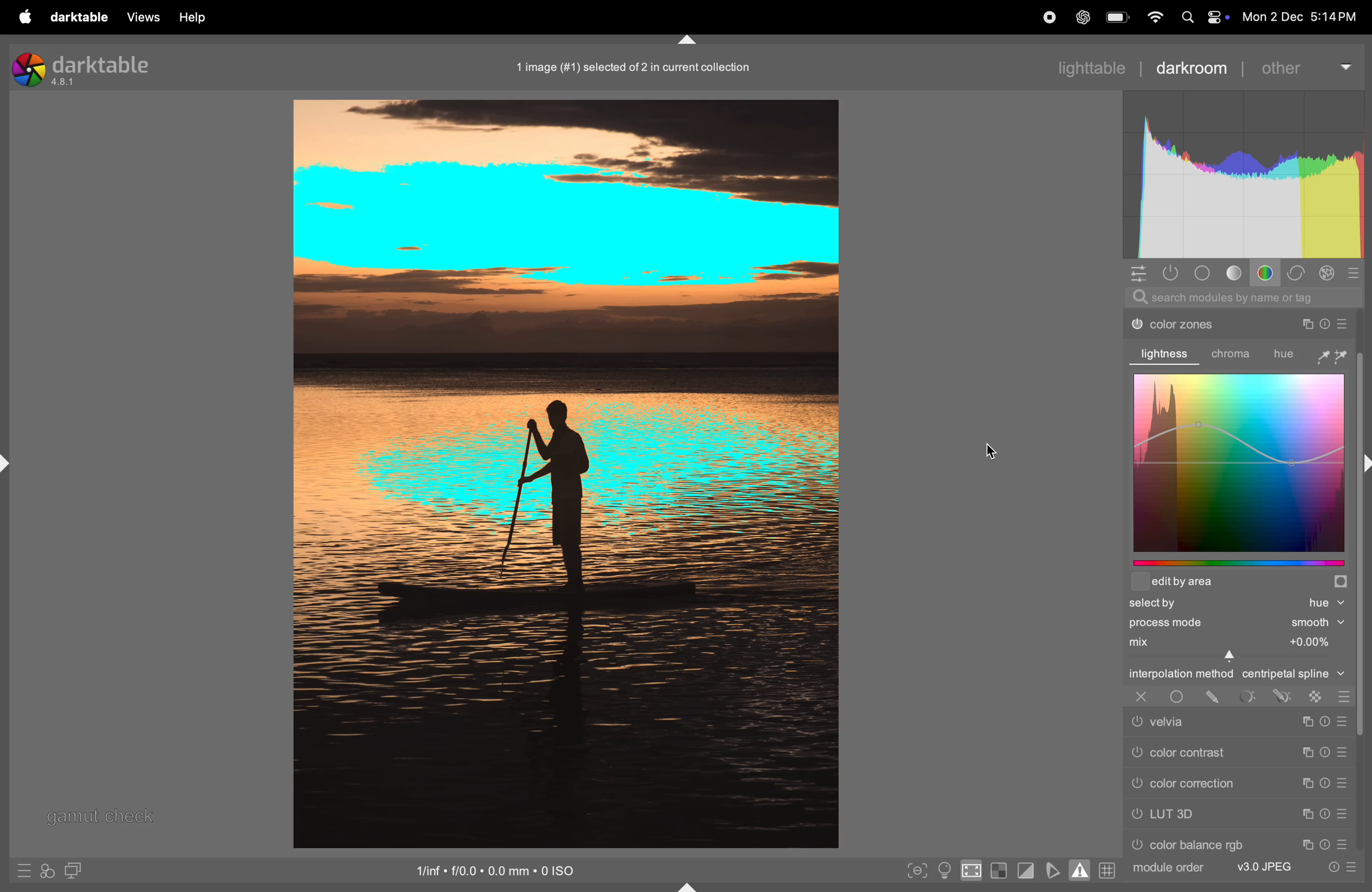  Describe the element at coordinates (1203, 324) in the screenshot. I see `color zones` at that location.